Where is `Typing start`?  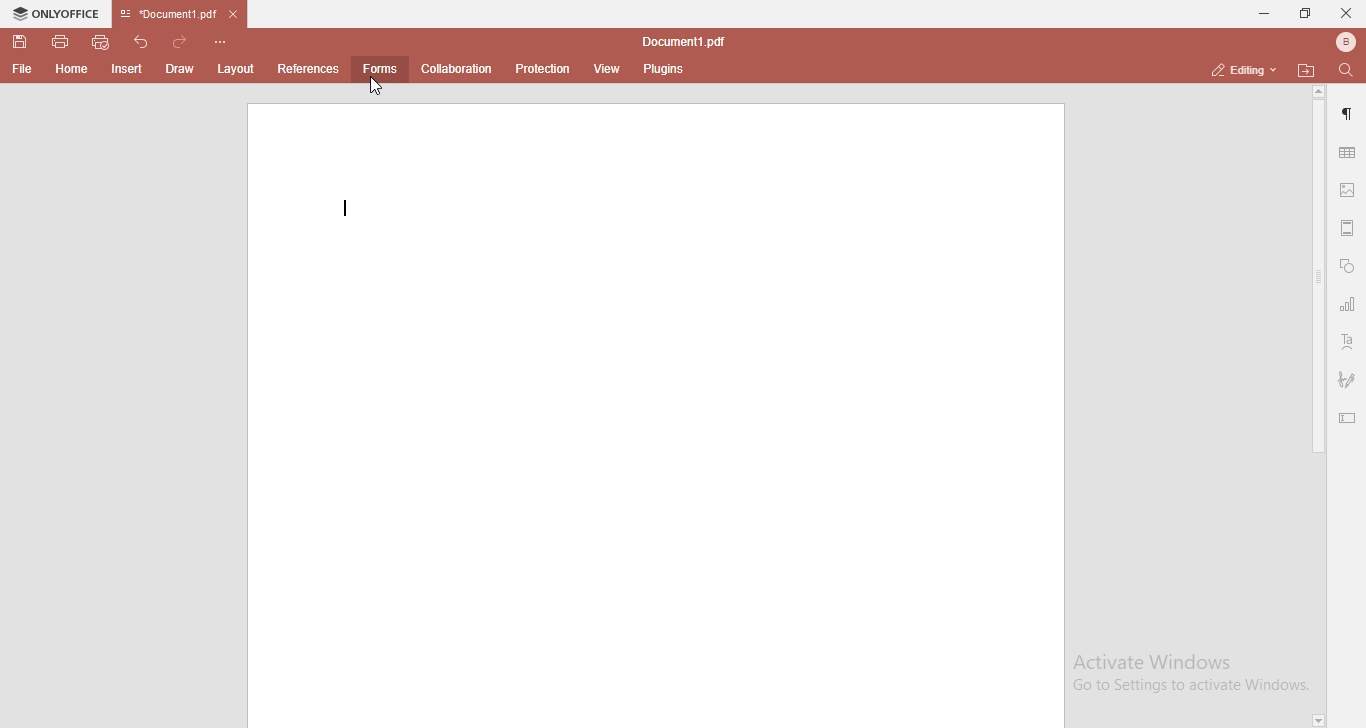
Typing start is located at coordinates (351, 211).